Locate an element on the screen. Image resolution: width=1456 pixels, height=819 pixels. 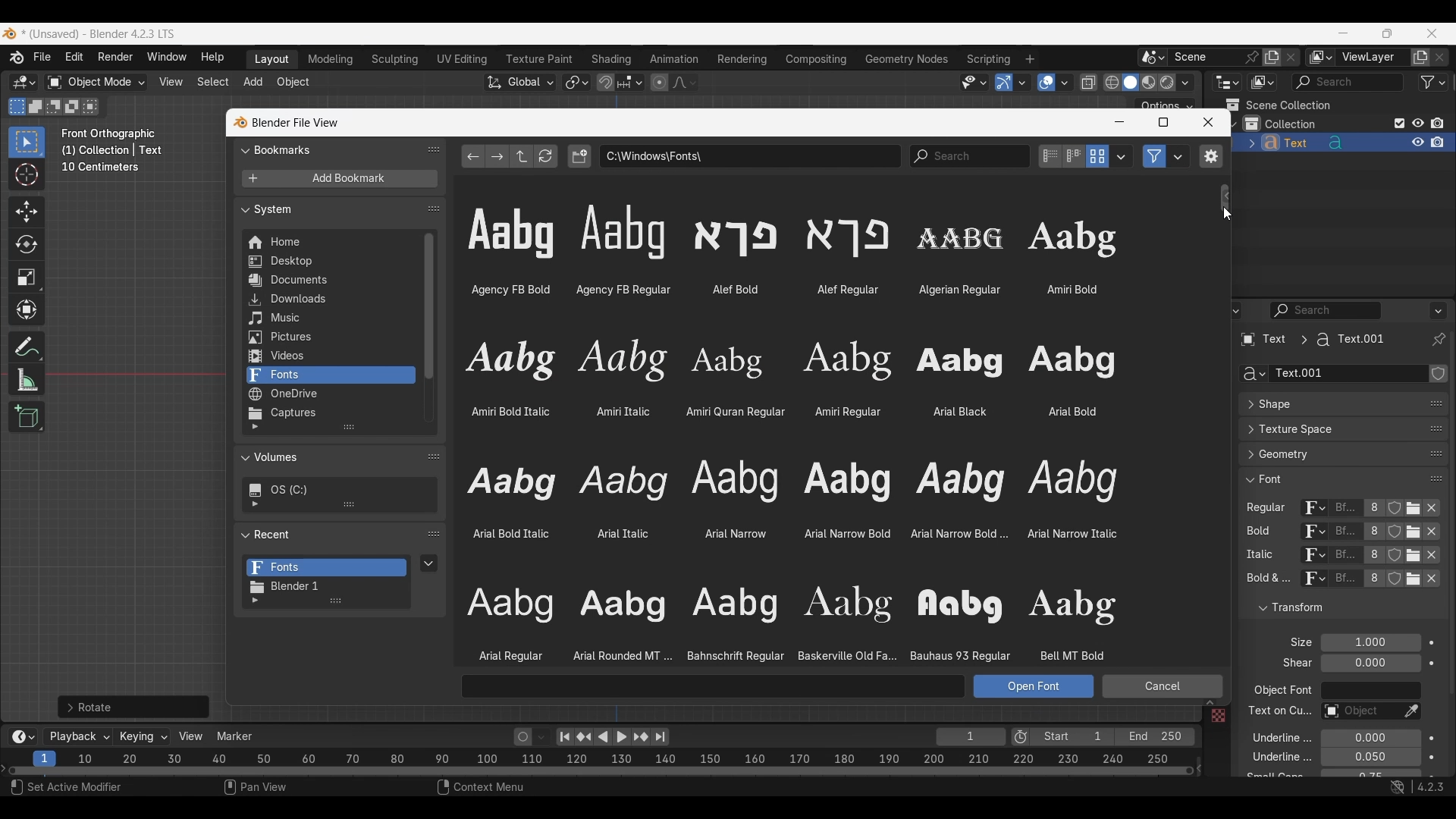
Move is located at coordinates (27, 212).